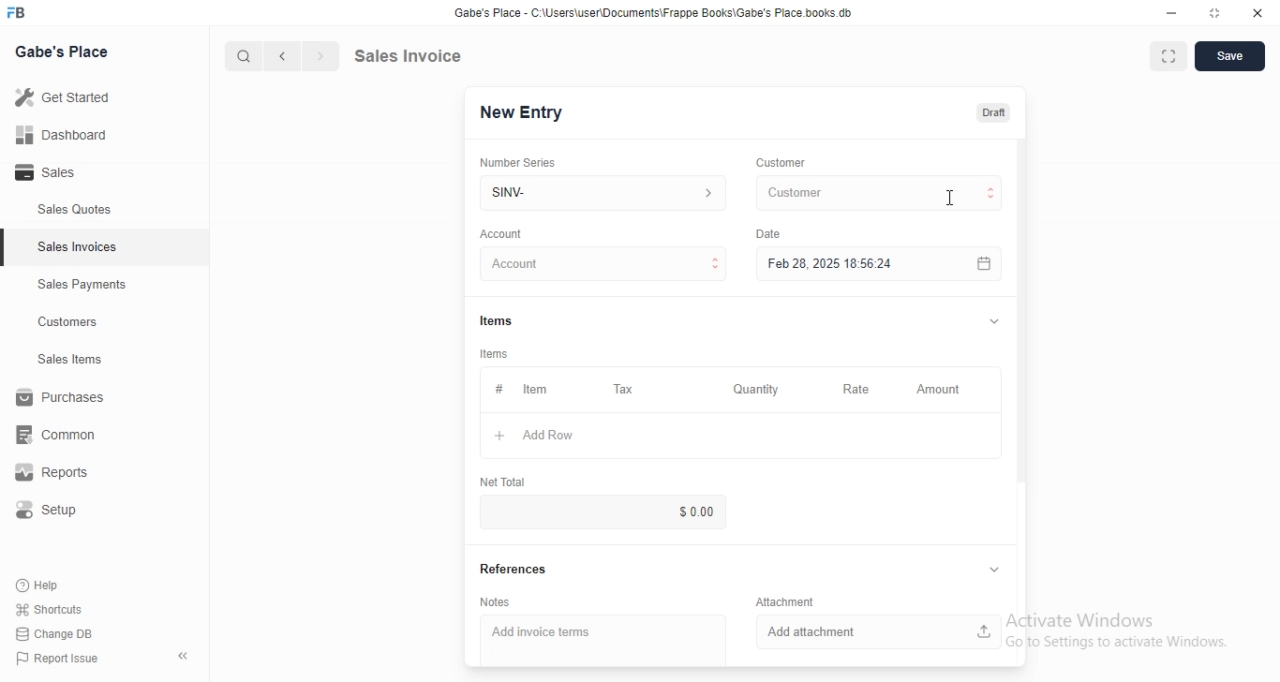 The height and width of the screenshot is (682, 1280). I want to click on maximise, so click(1163, 54).